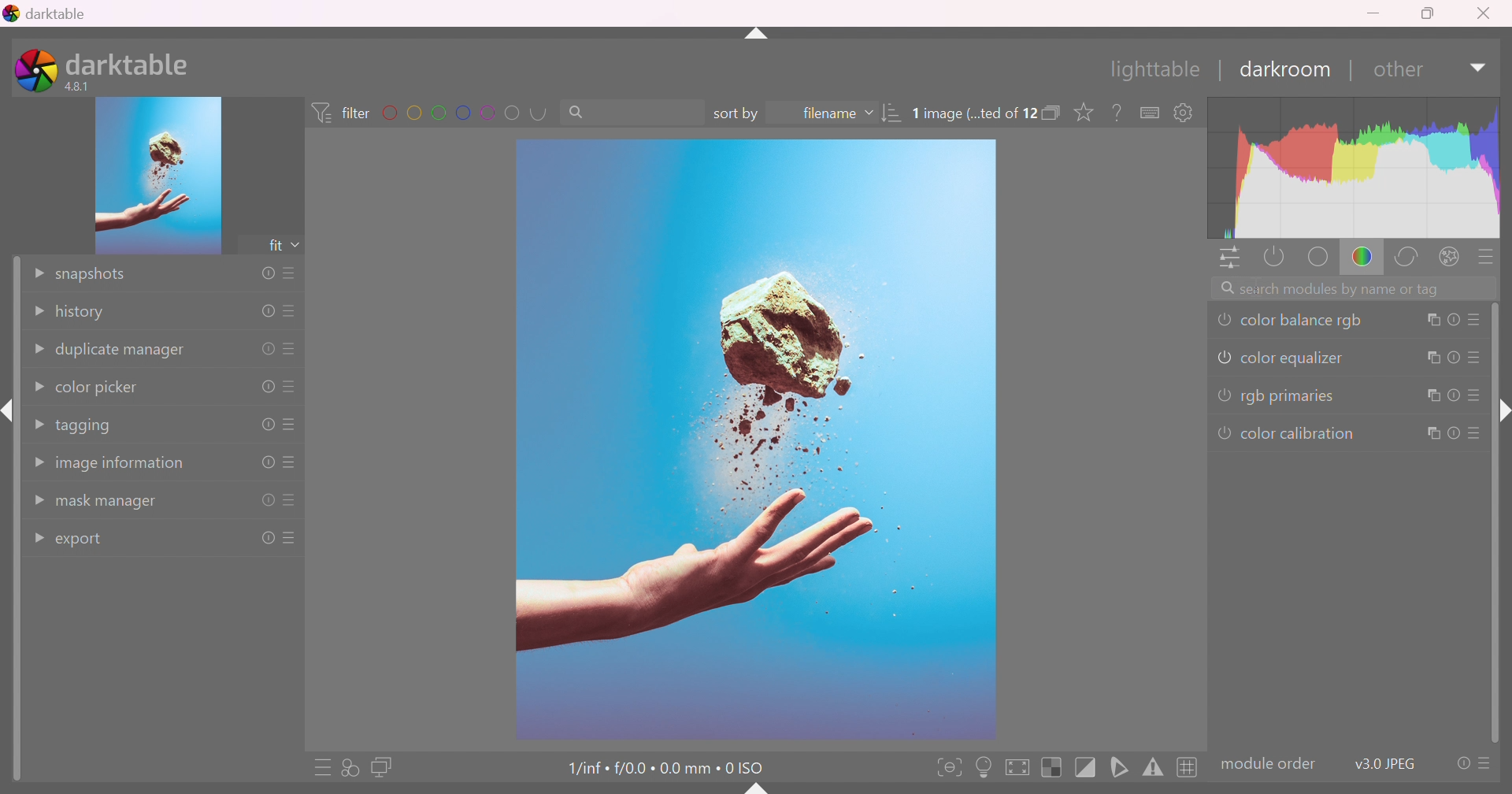 The image size is (1512, 794). I want to click on Drop Down, so click(35, 537).